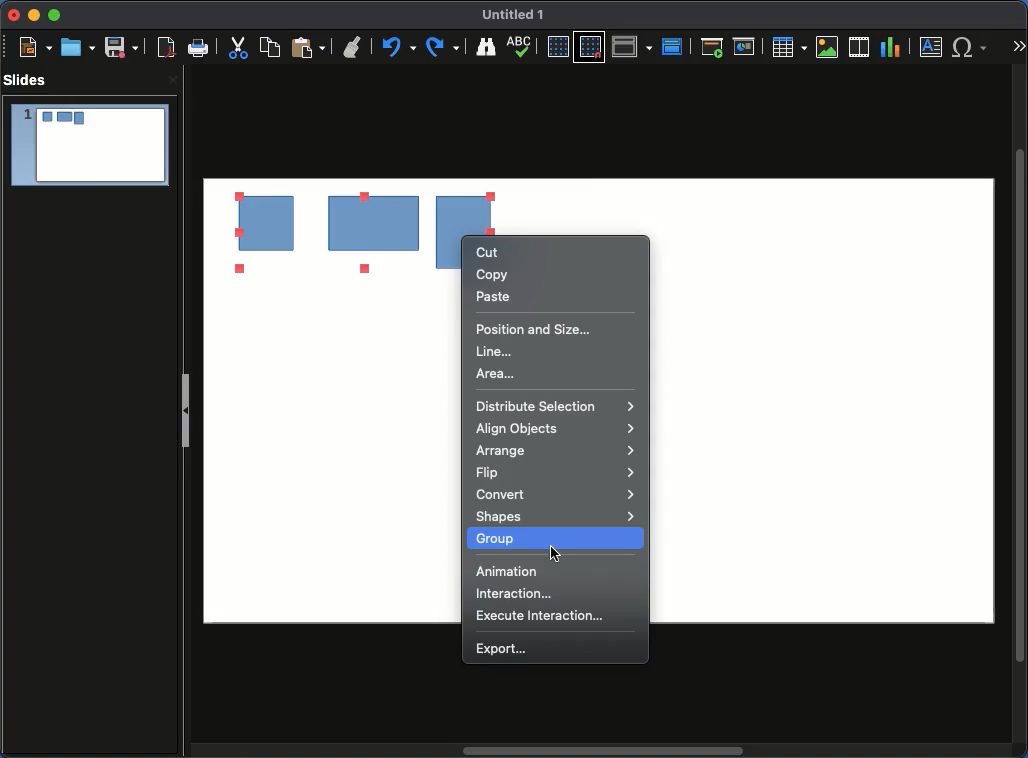 The image size is (1028, 758). Describe the element at coordinates (556, 406) in the screenshot. I see `Distribute selection` at that location.